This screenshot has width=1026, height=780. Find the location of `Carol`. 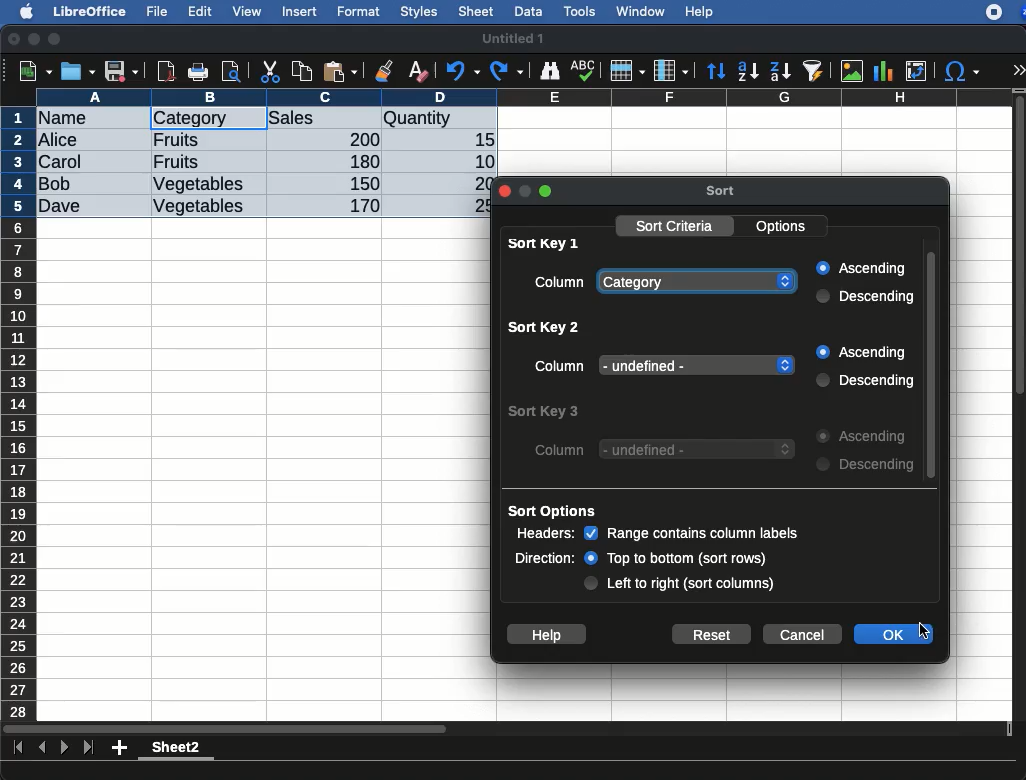

Carol is located at coordinates (77, 163).